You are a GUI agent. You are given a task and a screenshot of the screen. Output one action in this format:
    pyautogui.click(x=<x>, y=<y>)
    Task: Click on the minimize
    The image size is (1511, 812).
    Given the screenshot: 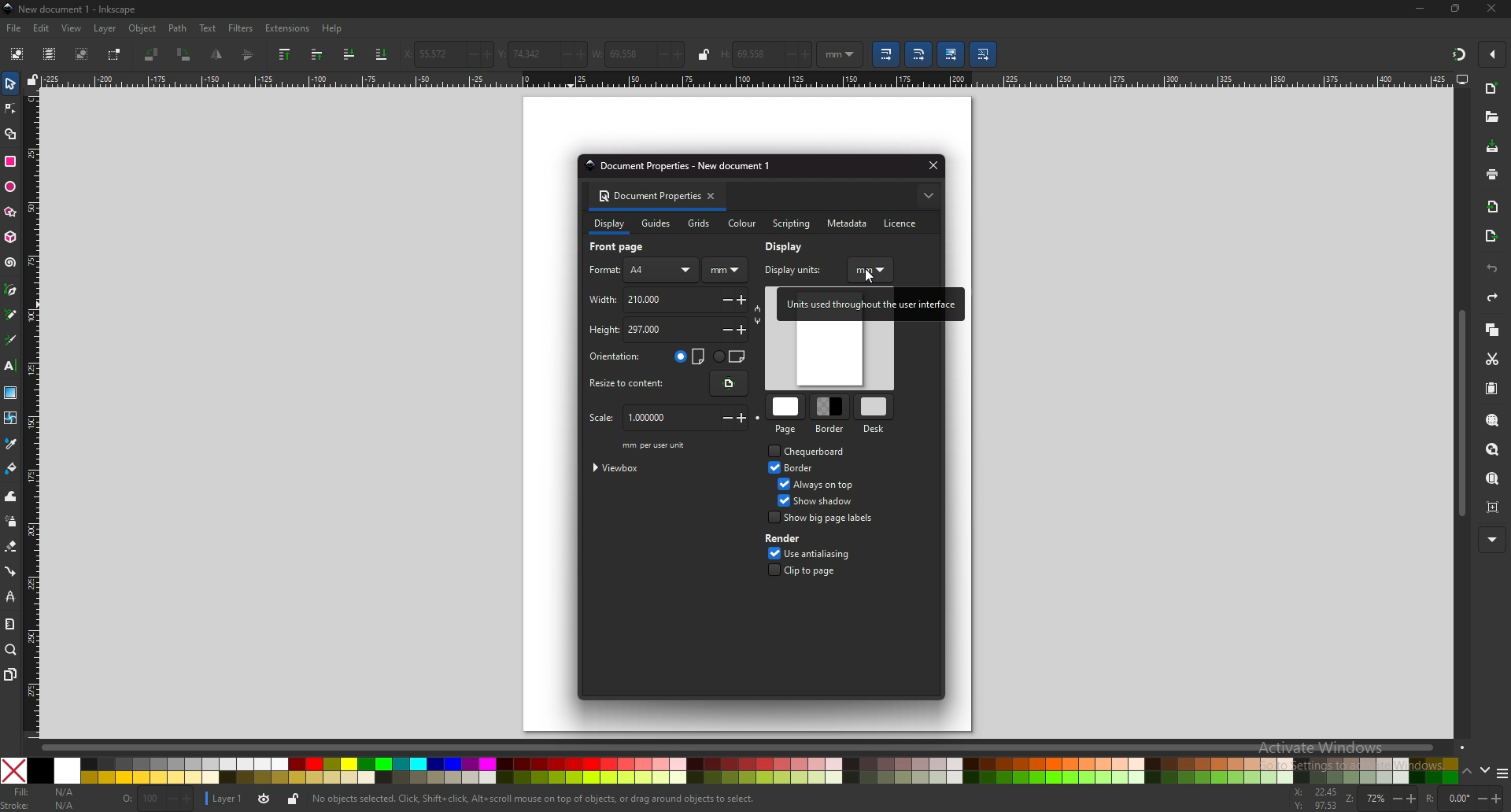 What is the action you would take?
    pyautogui.click(x=1420, y=8)
    